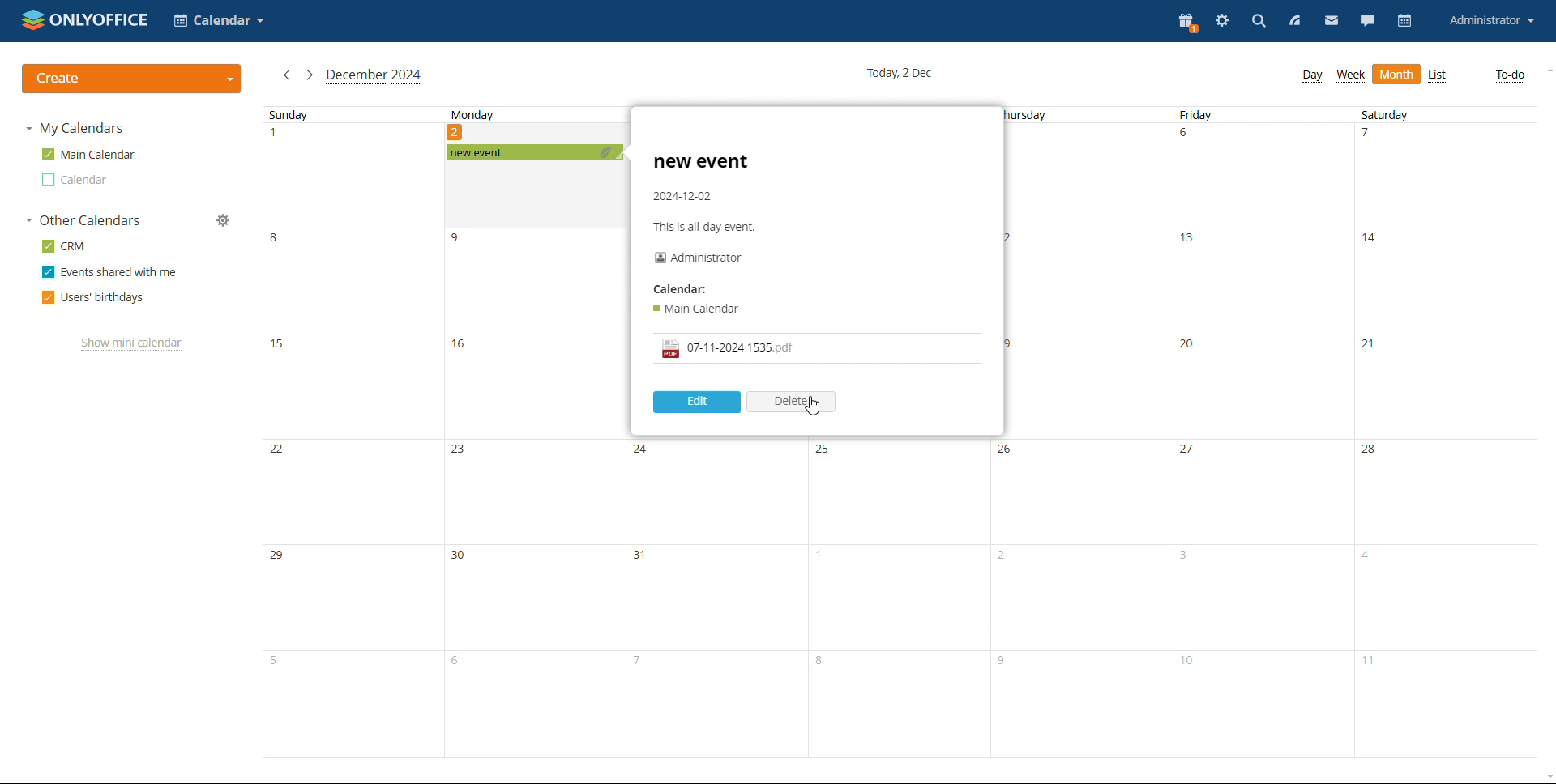 Image resolution: width=1556 pixels, height=784 pixels. What do you see at coordinates (1405, 22) in the screenshot?
I see `calendar` at bounding box center [1405, 22].